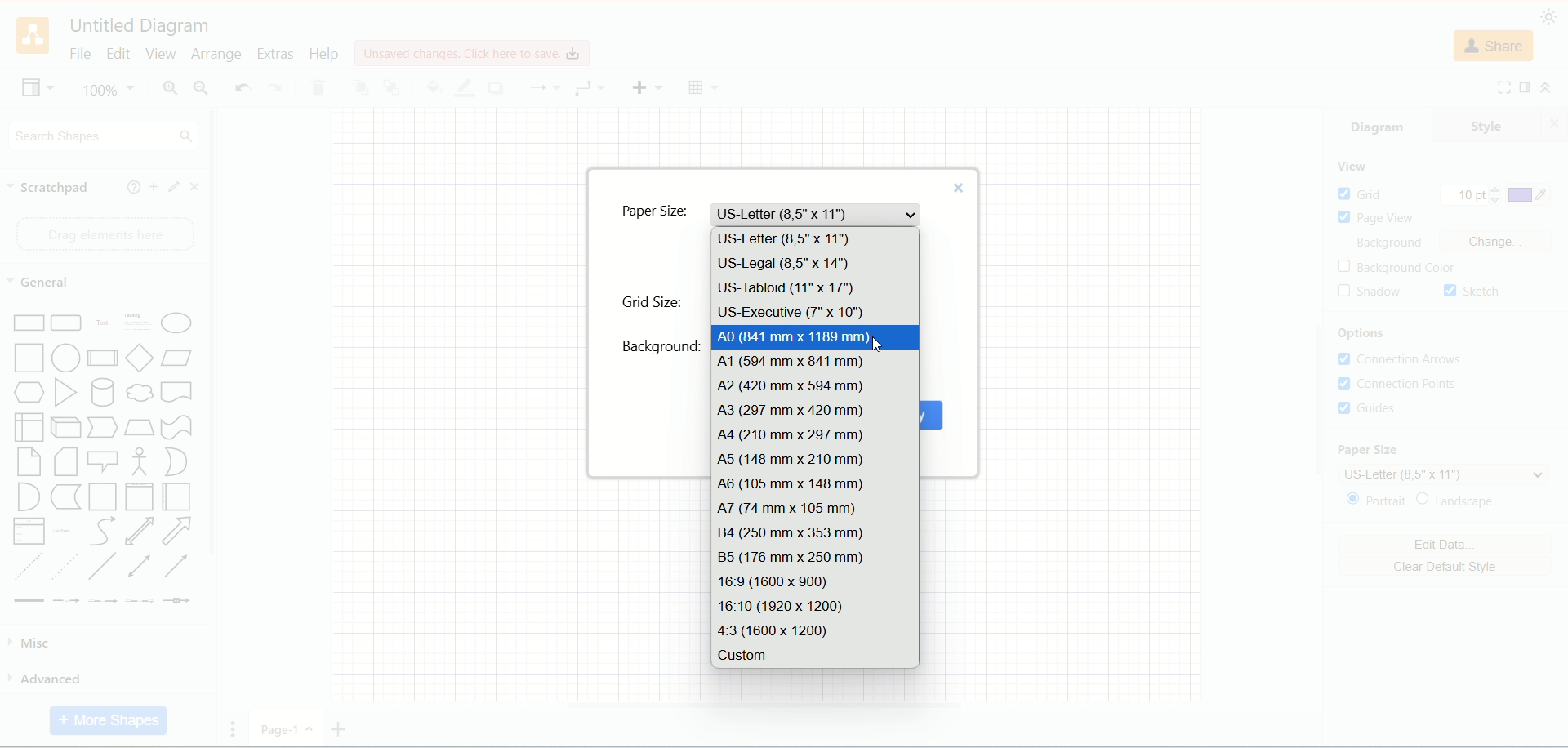  Describe the element at coordinates (139, 428) in the screenshot. I see `Trapezoid` at that location.